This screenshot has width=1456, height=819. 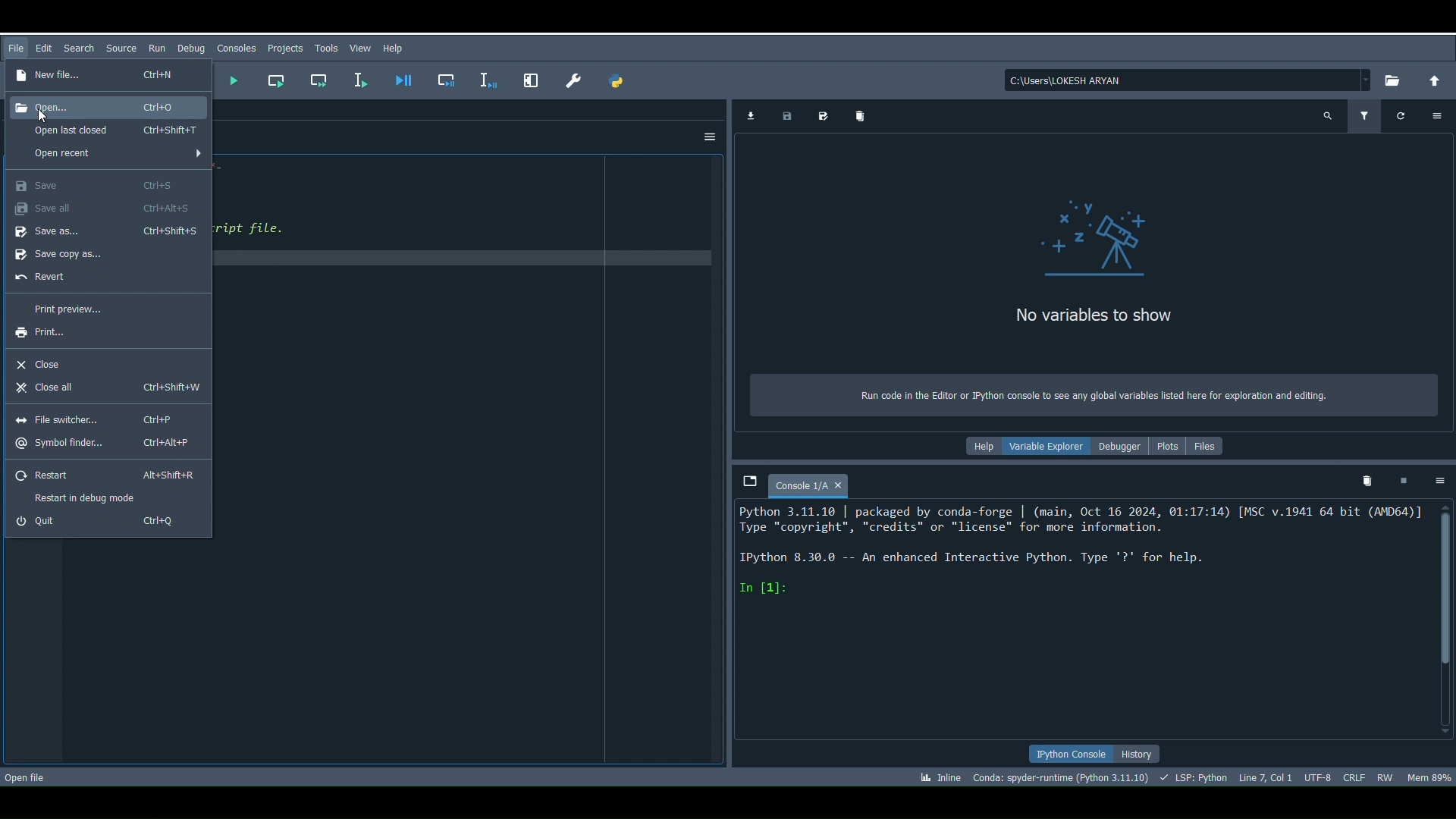 What do you see at coordinates (798, 486) in the screenshot?
I see `Console 1/A` at bounding box center [798, 486].